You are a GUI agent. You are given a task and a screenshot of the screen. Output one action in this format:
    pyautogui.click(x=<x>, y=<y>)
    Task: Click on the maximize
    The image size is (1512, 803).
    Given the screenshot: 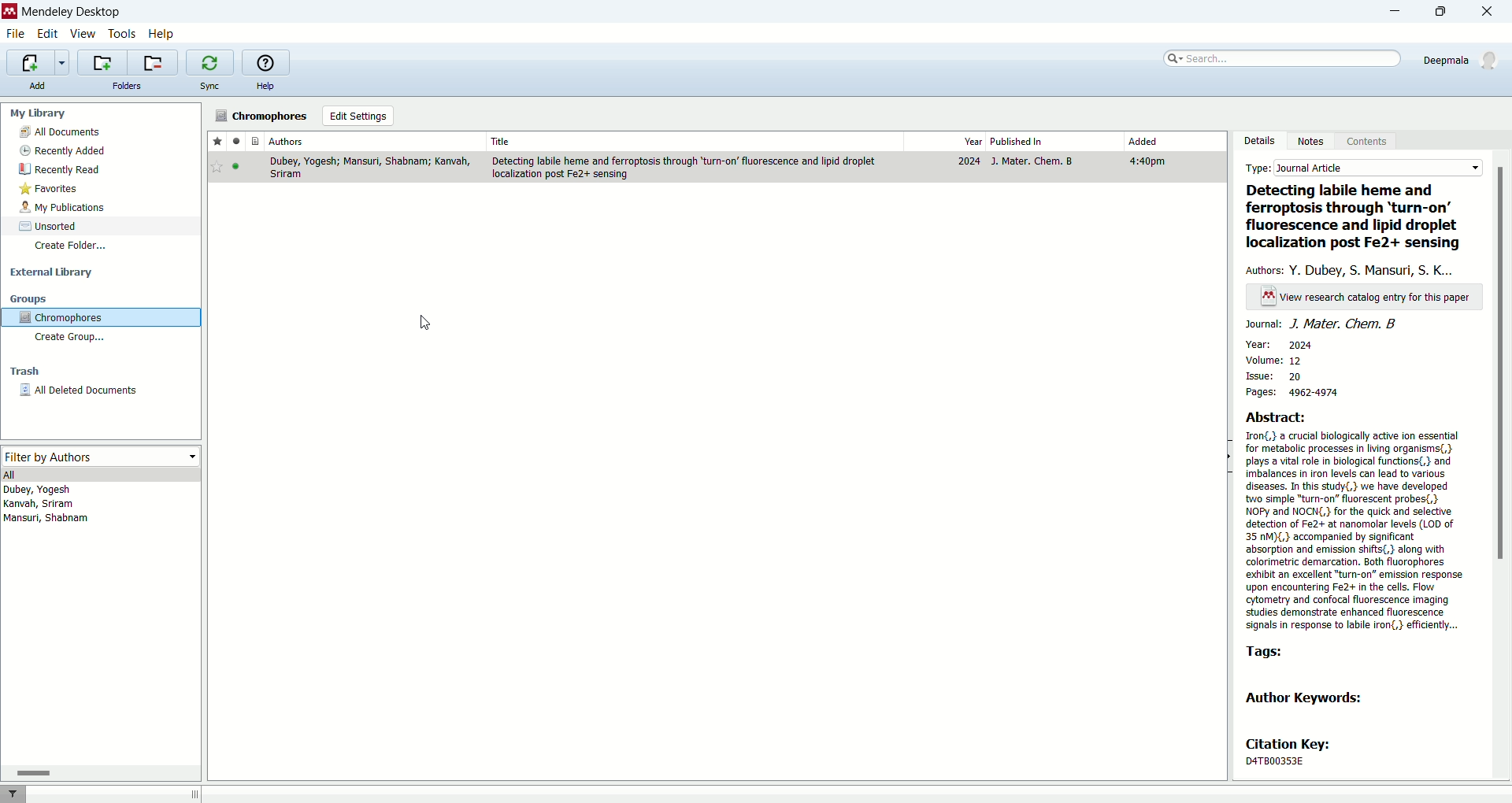 What is the action you would take?
    pyautogui.click(x=1442, y=11)
    